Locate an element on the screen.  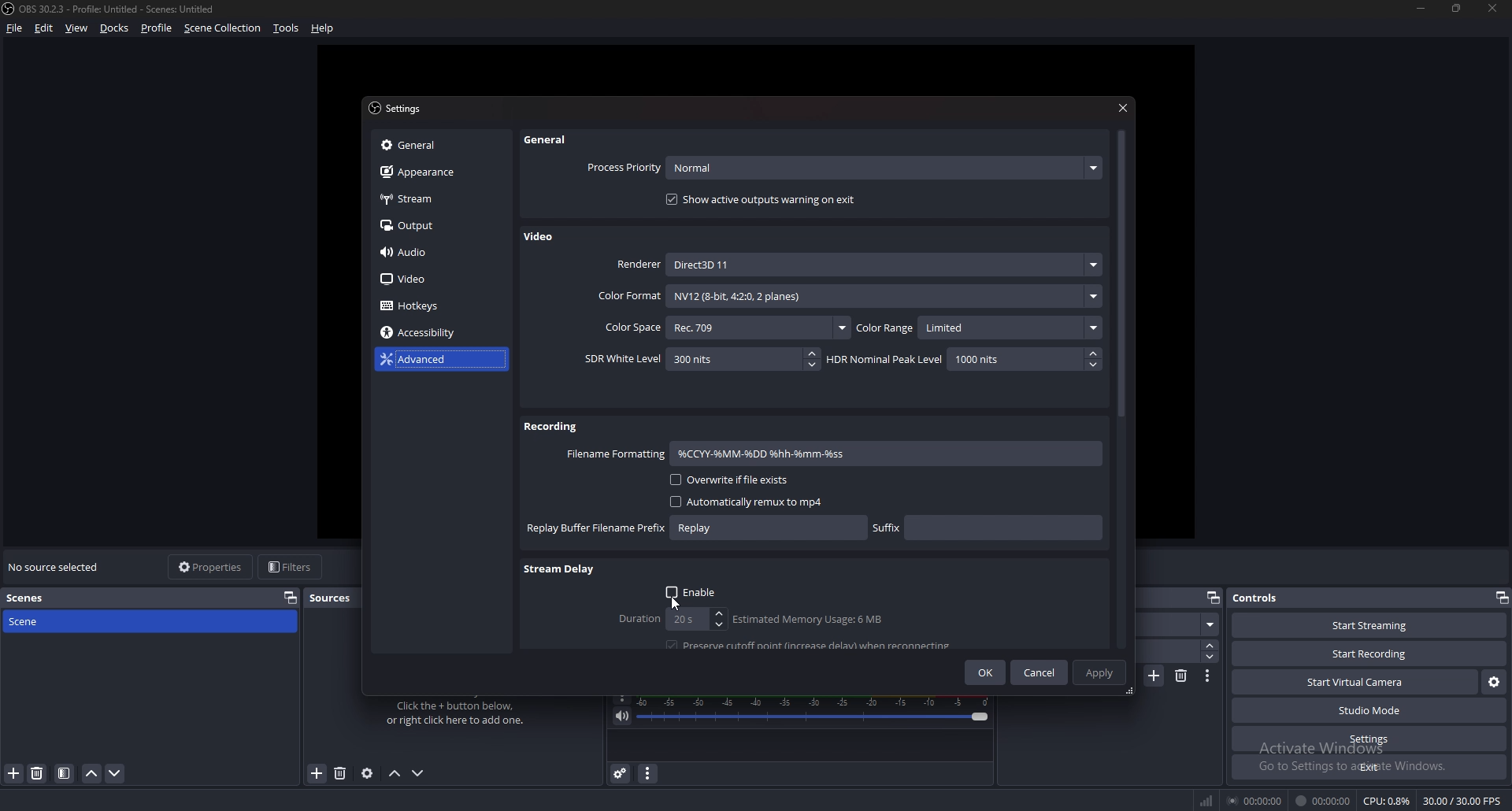
advanced audio properties is located at coordinates (622, 773).